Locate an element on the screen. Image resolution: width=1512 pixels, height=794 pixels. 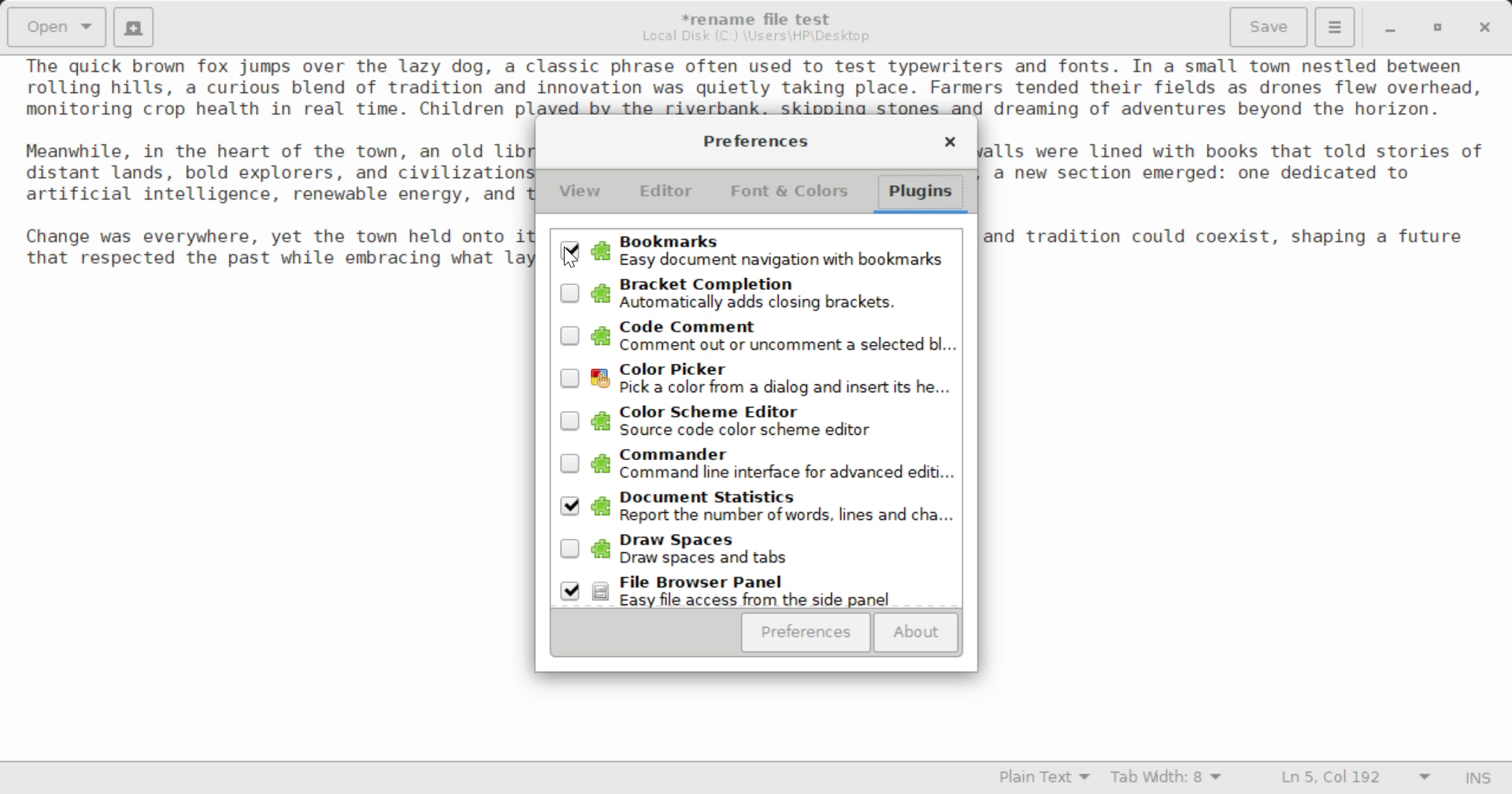
Preferences Setting Window Heading is located at coordinates (755, 141).